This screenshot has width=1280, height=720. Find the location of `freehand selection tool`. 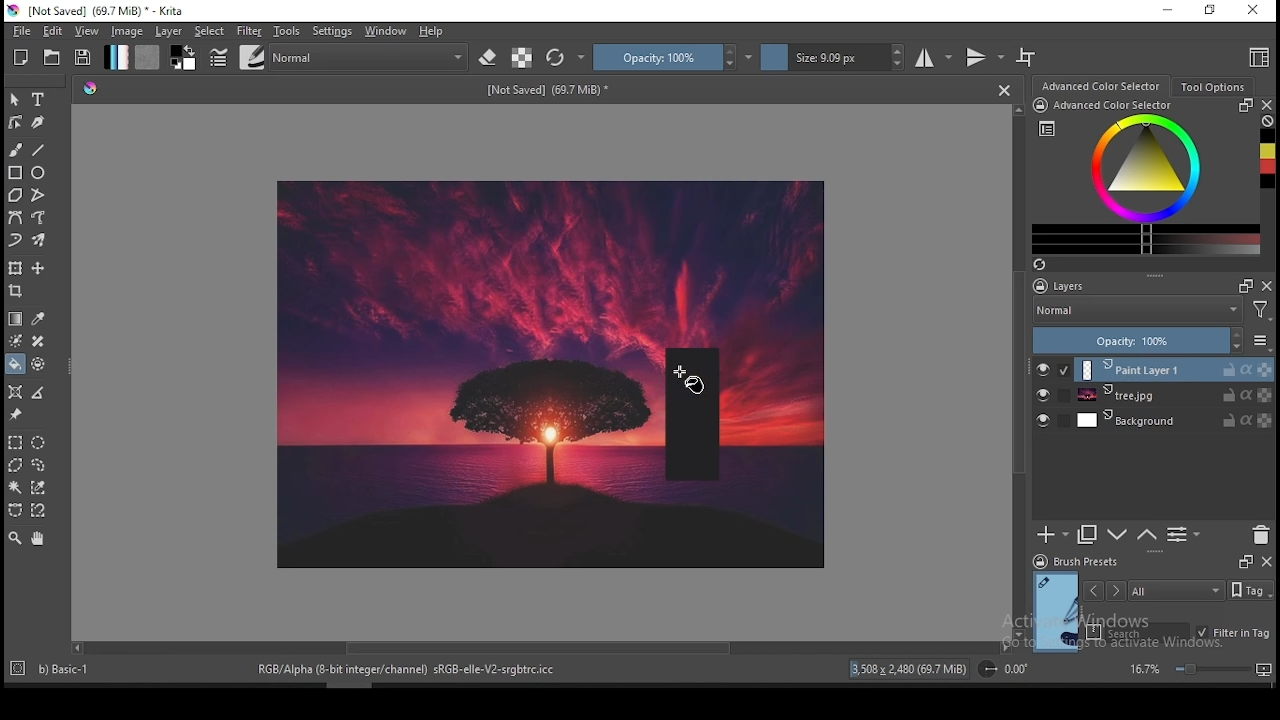

freehand selection tool is located at coordinates (40, 463).